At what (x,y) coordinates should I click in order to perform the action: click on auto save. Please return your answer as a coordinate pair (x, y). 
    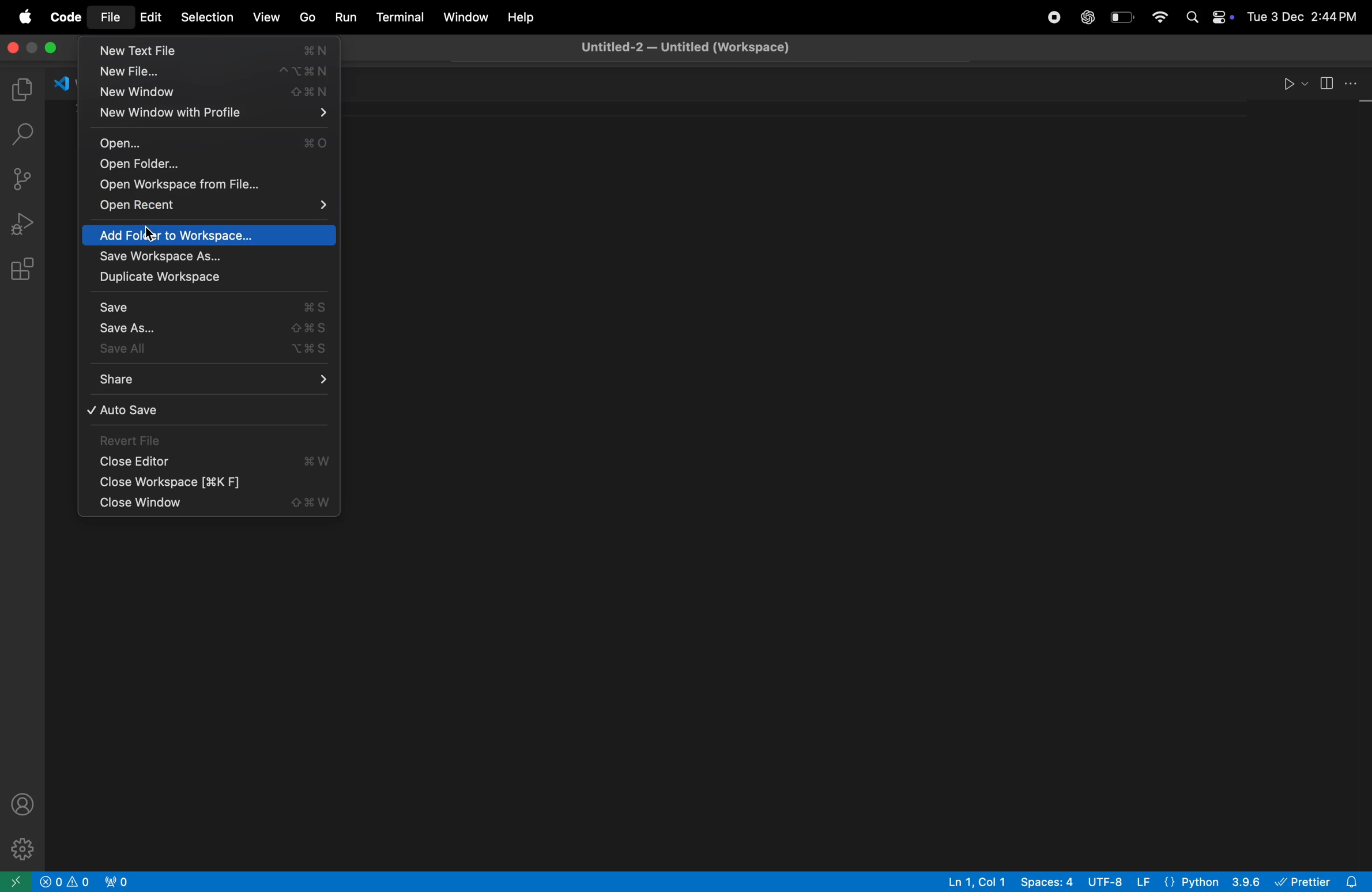
    Looking at the image, I should click on (210, 410).